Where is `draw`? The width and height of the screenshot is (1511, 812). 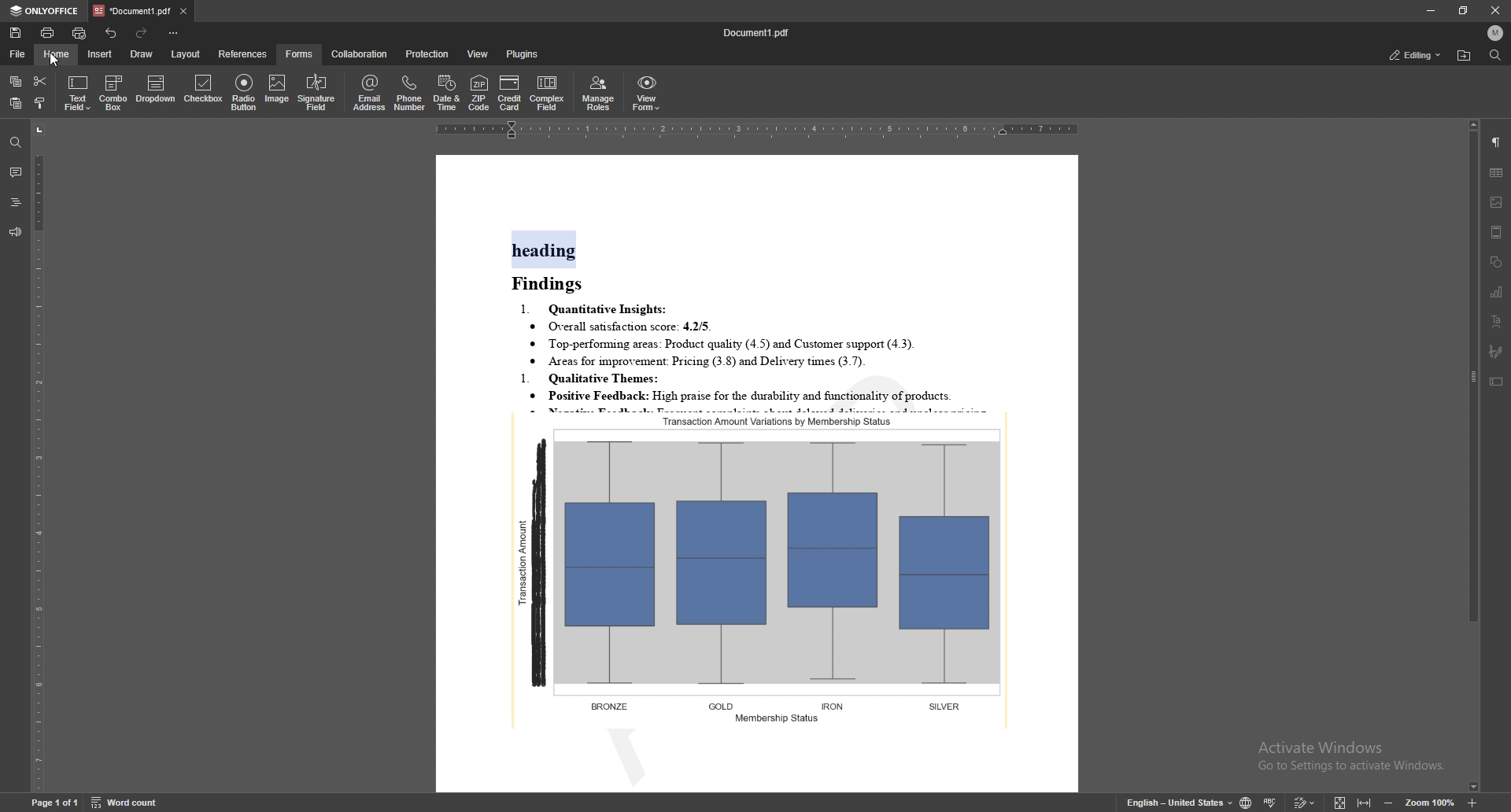 draw is located at coordinates (141, 53).